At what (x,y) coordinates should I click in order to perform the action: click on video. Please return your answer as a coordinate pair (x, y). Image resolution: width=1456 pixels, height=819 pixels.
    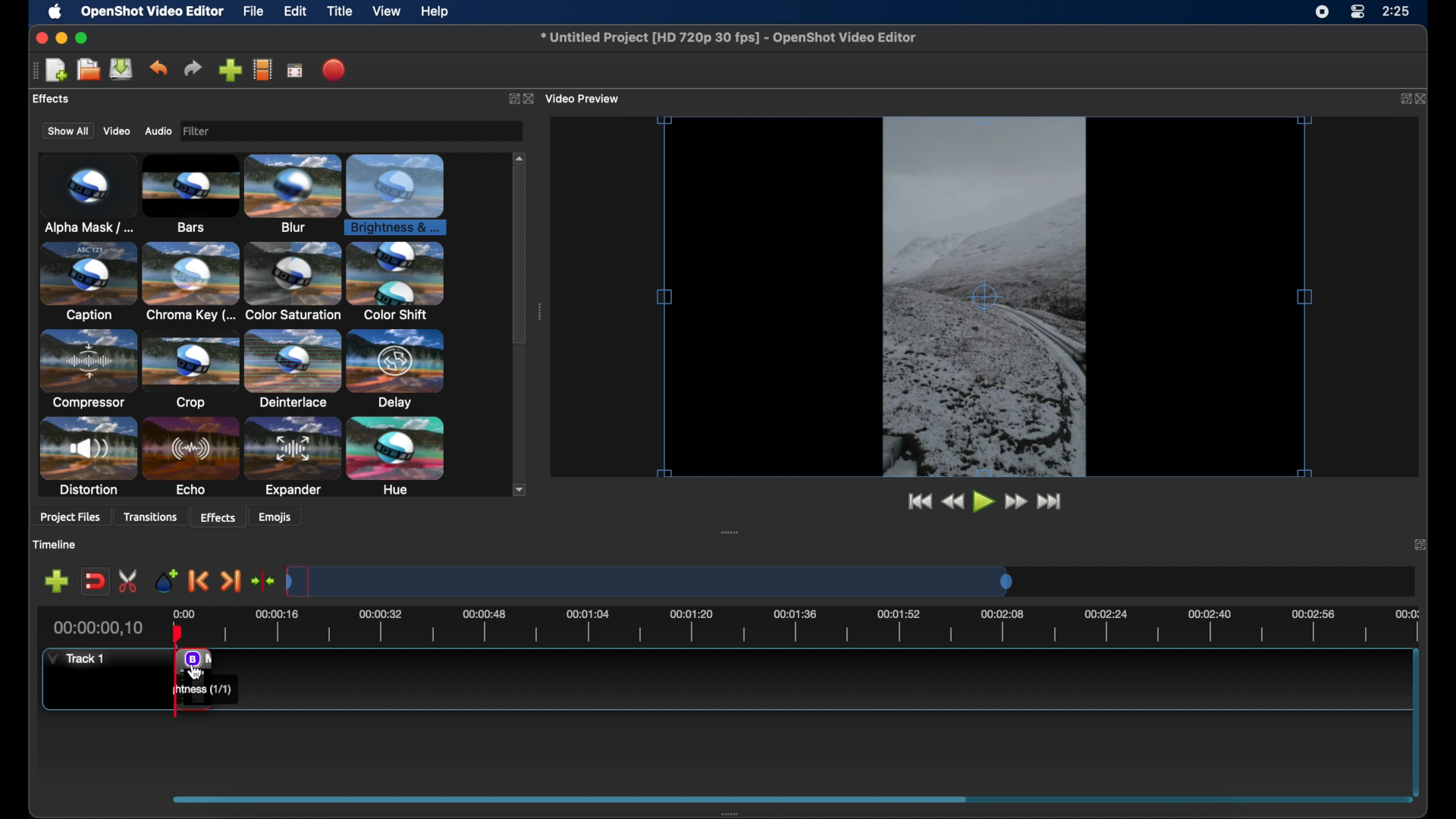
    Looking at the image, I should click on (117, 131).